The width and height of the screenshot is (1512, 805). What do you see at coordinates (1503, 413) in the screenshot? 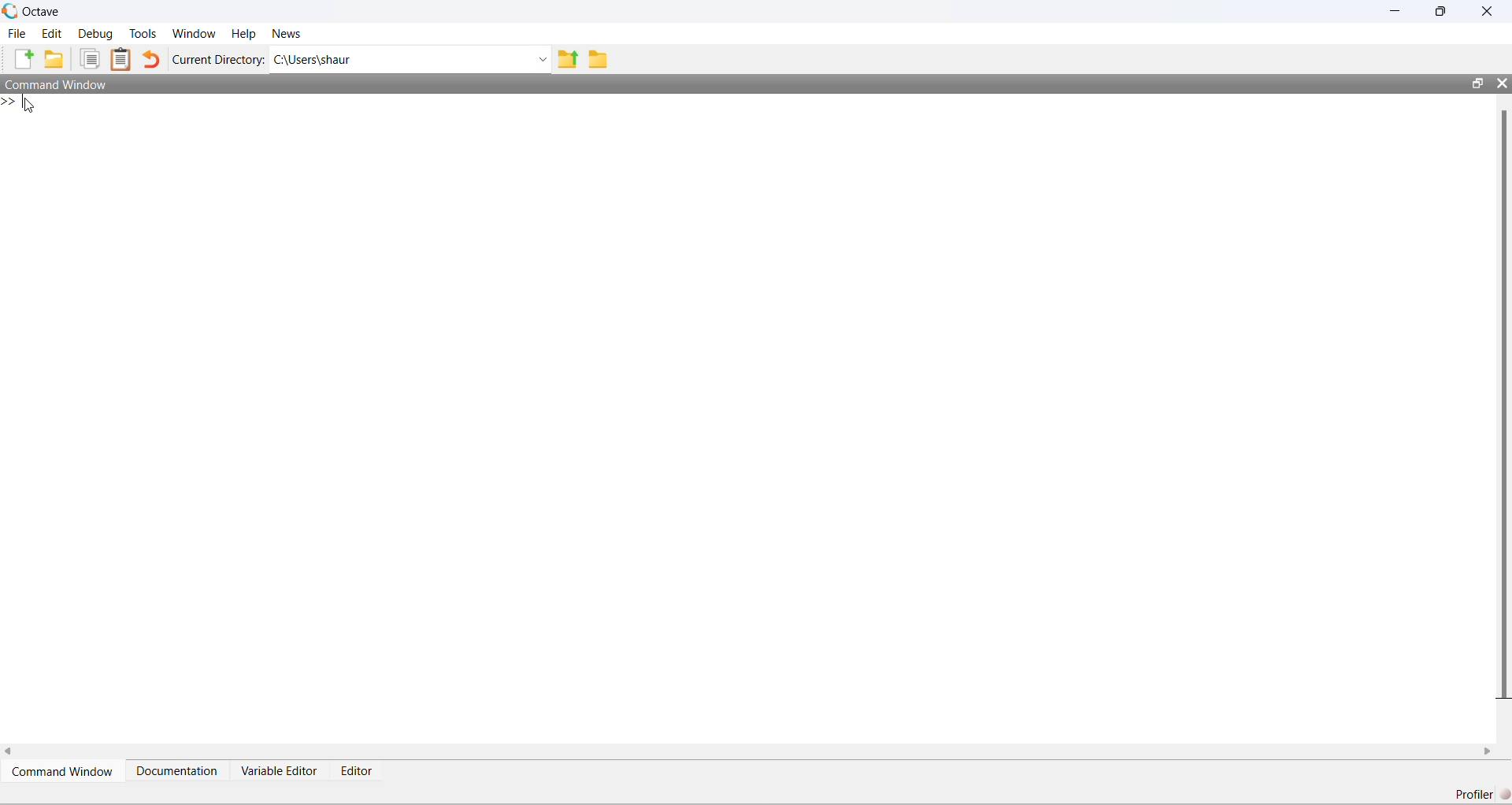
I see `vertical scroll bar` at bounding box center [1503, 413].